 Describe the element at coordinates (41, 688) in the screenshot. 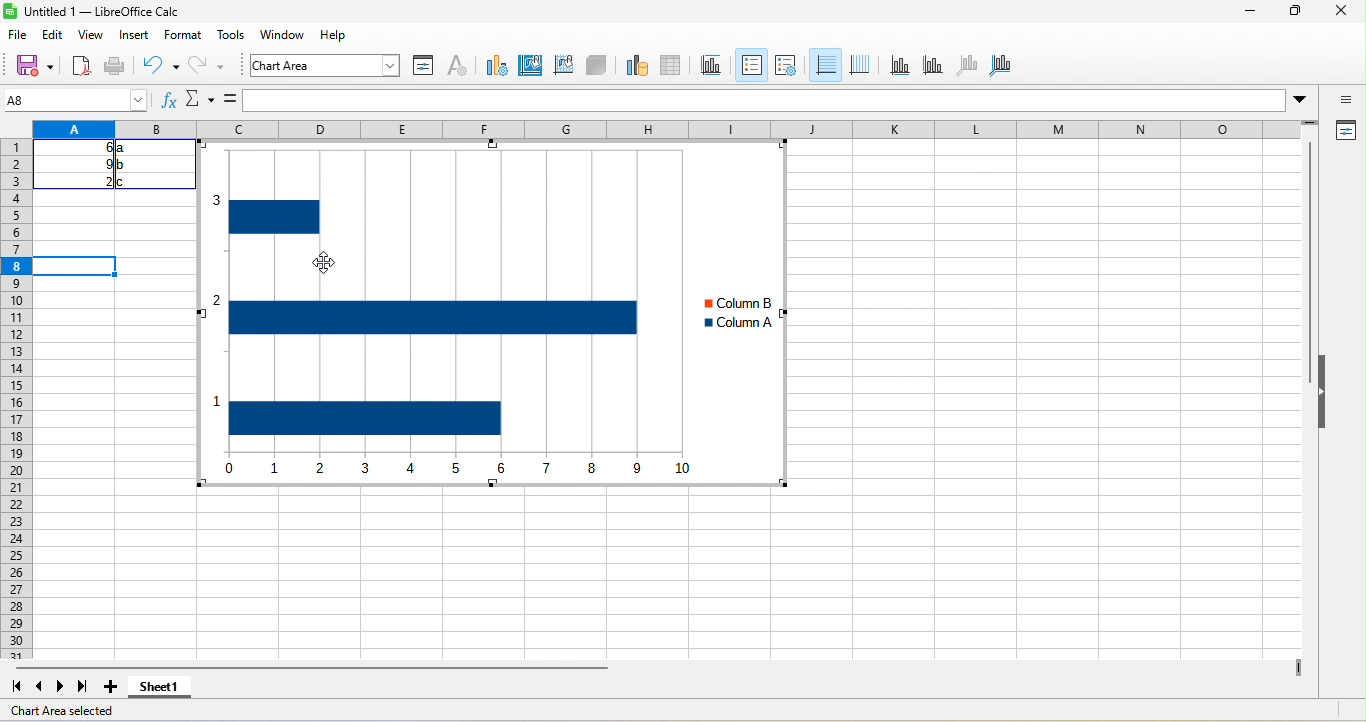

I see `previous sheet` at that location.